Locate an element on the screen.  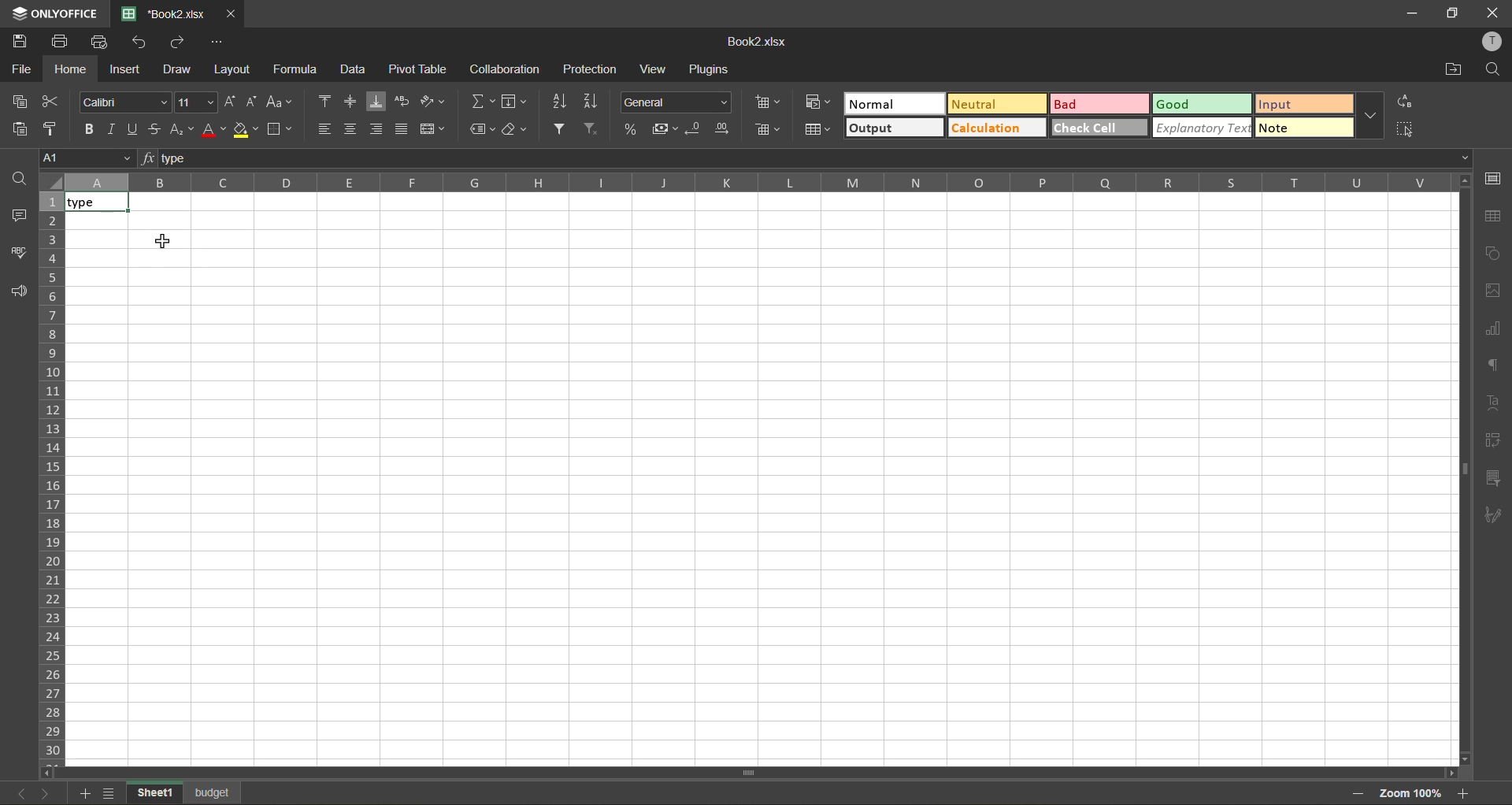
filename is located at coordinates (161, 14).